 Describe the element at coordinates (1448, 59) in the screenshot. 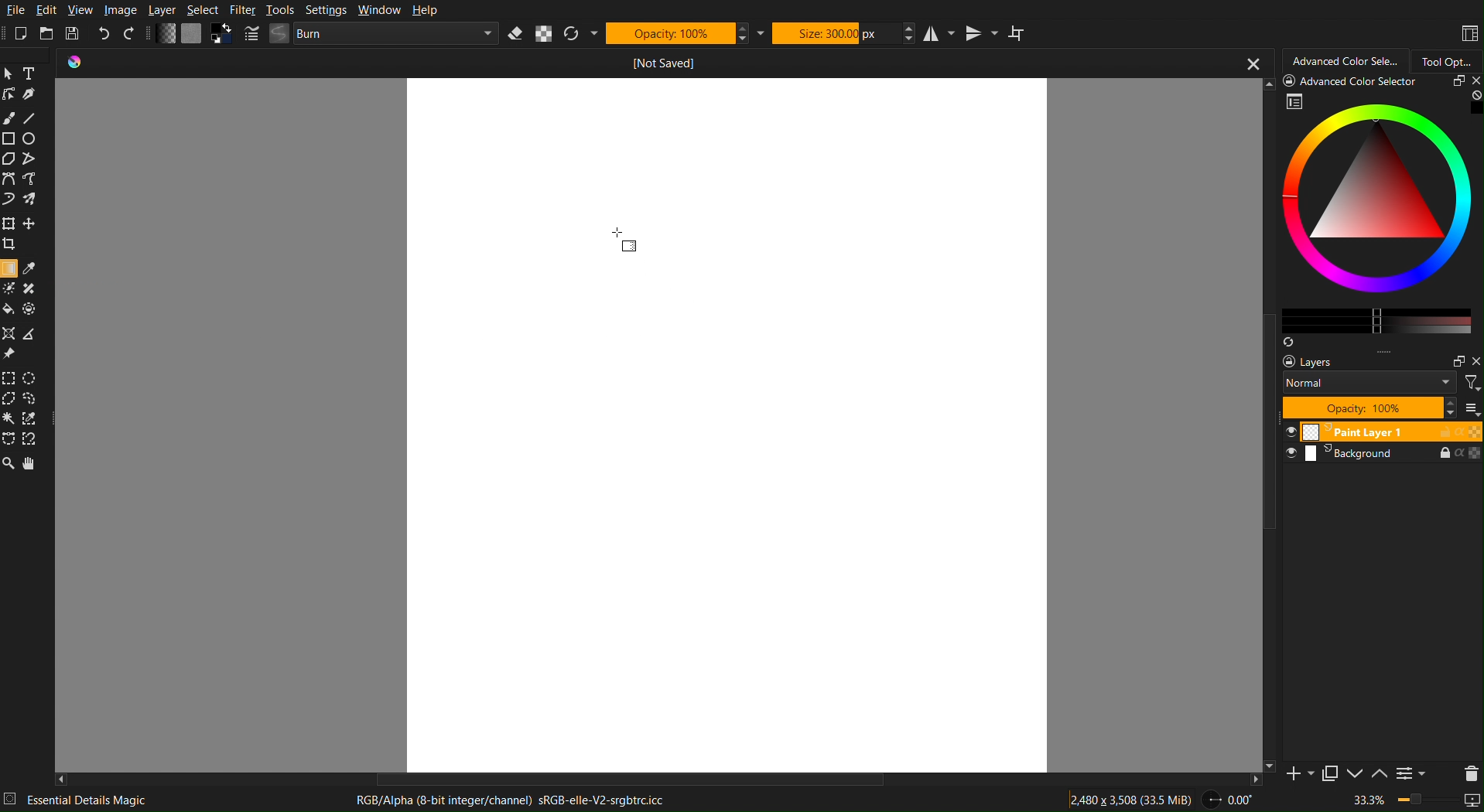

I see `Tool Options` at that location.